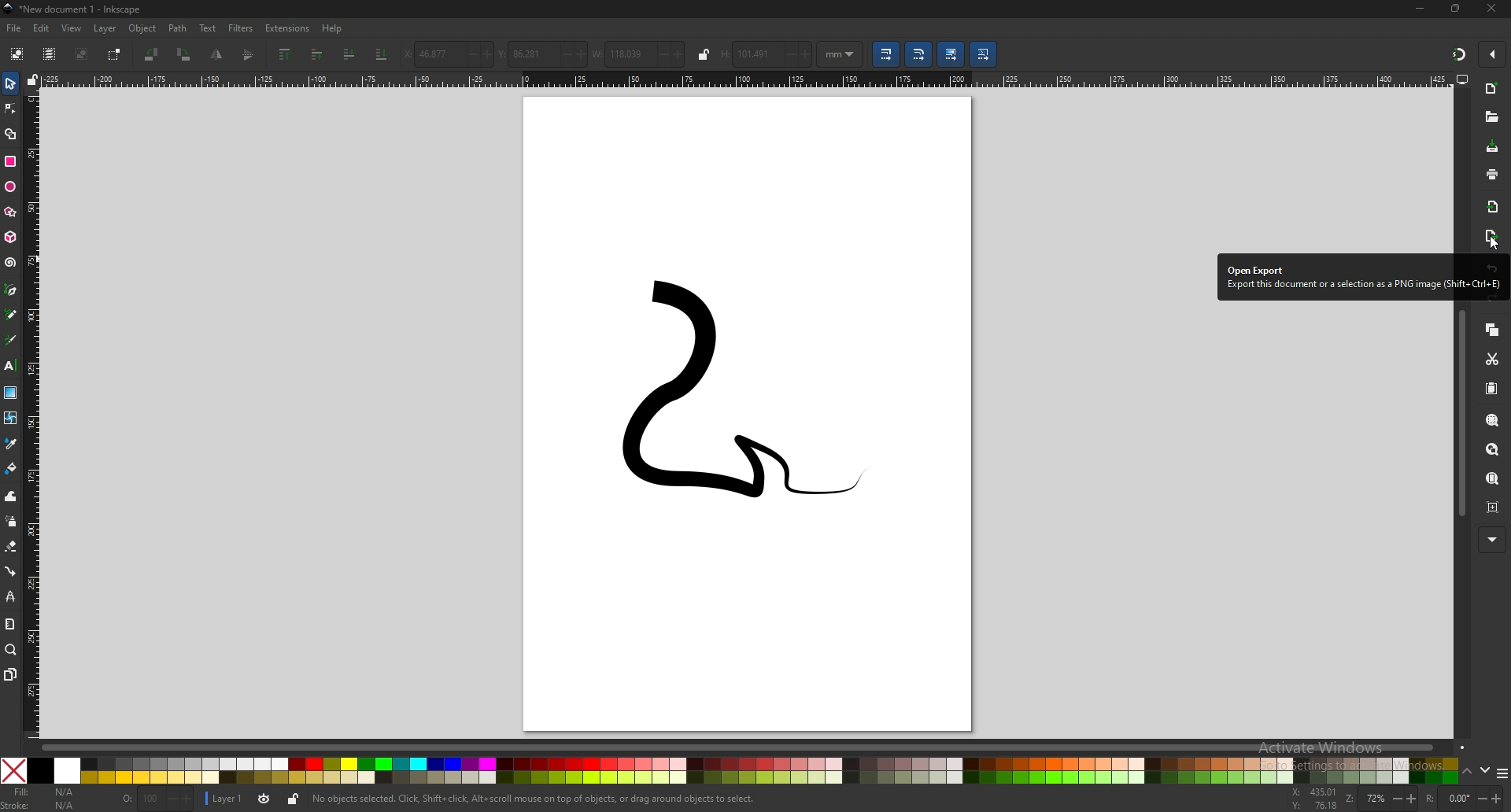  I want to click on lower selection to bottom, so click(382, 54).